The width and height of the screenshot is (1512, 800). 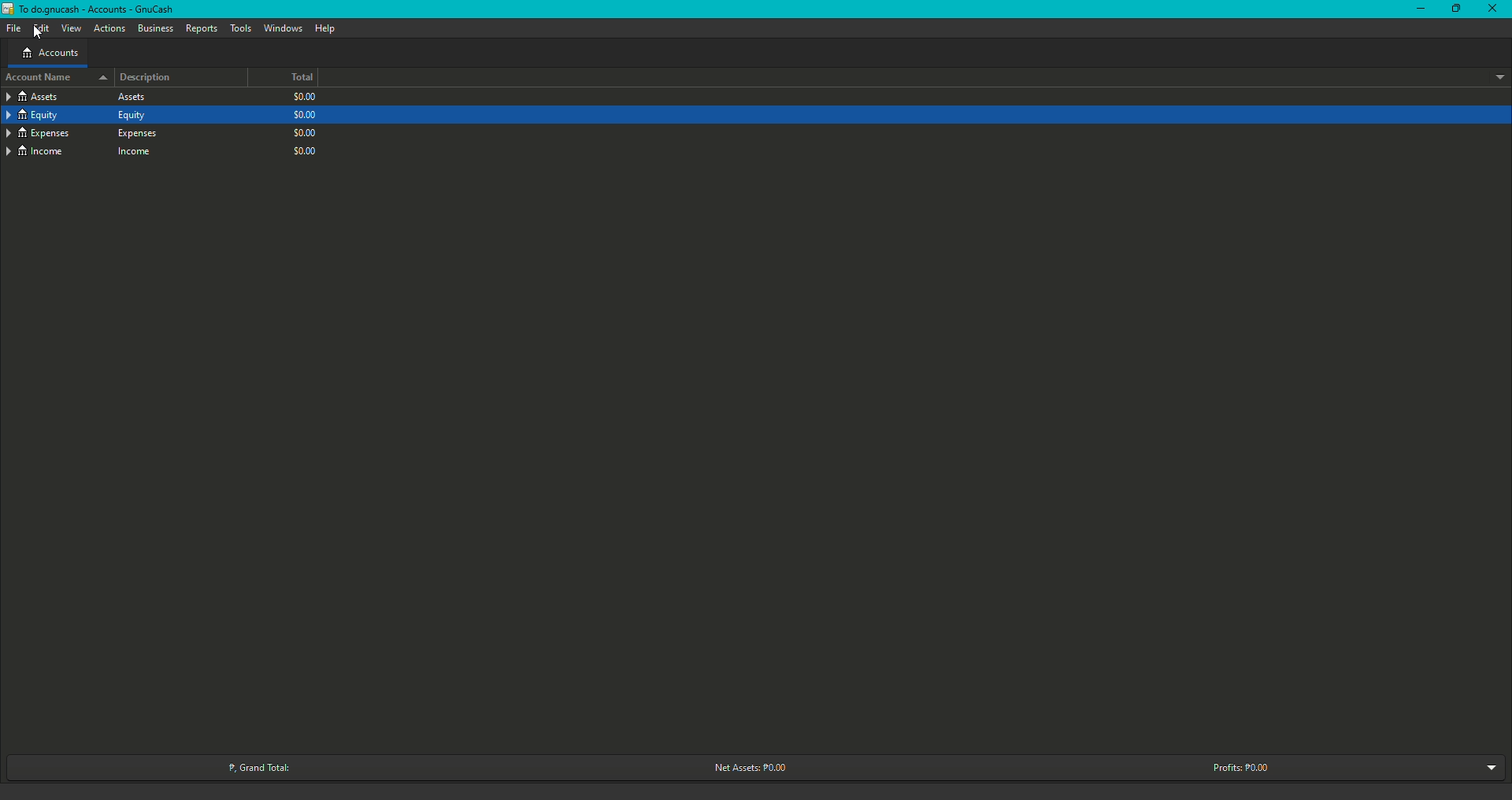 What do you see at coordinates (52, 79) in the screenshot?
I see `Account name` at bounding box center [52, 79].